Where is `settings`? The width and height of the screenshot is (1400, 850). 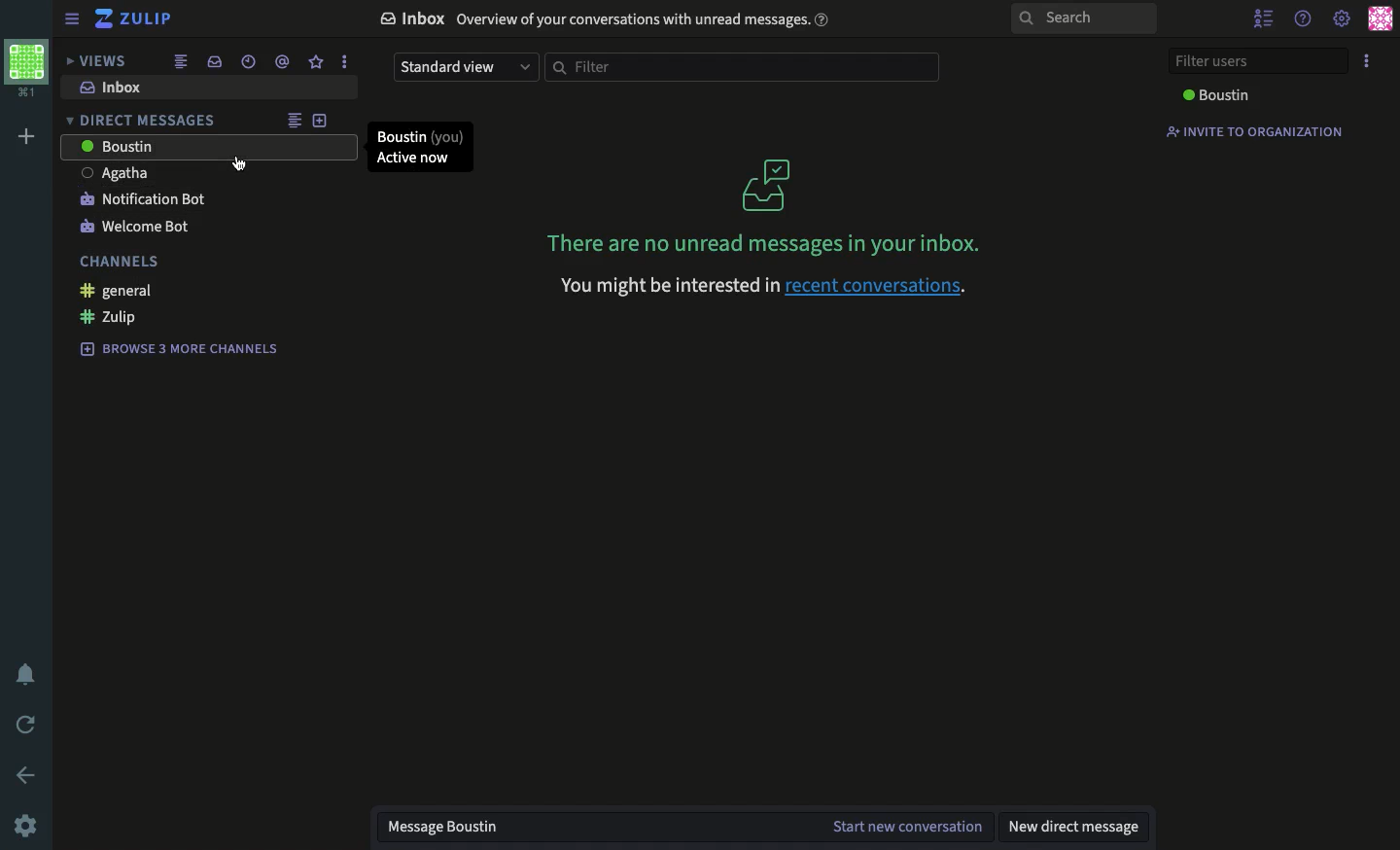 settings is located at coordinates (25, 826).